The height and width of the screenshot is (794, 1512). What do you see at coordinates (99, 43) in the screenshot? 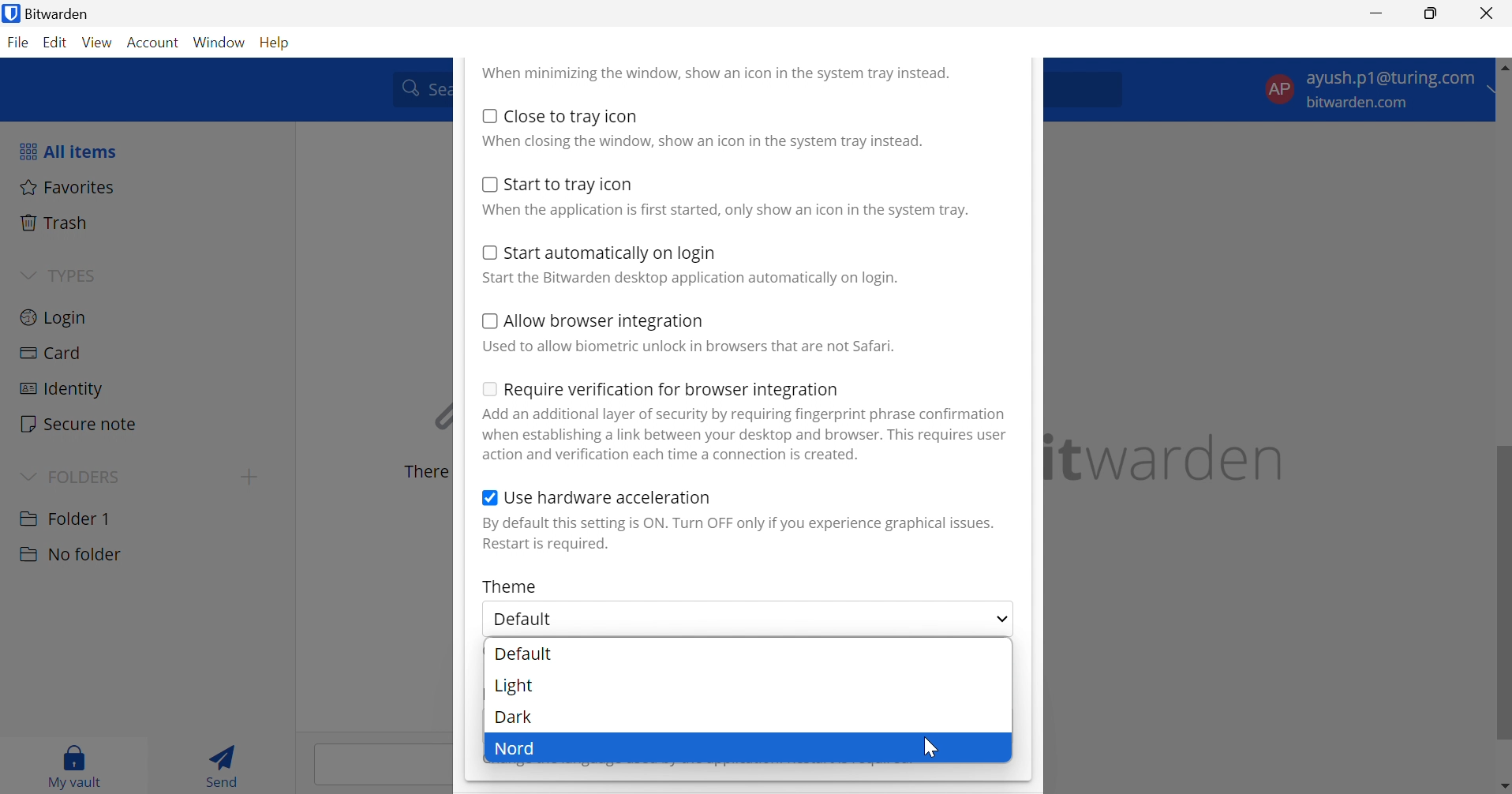
I see `View` at bounding box center [99, 43].